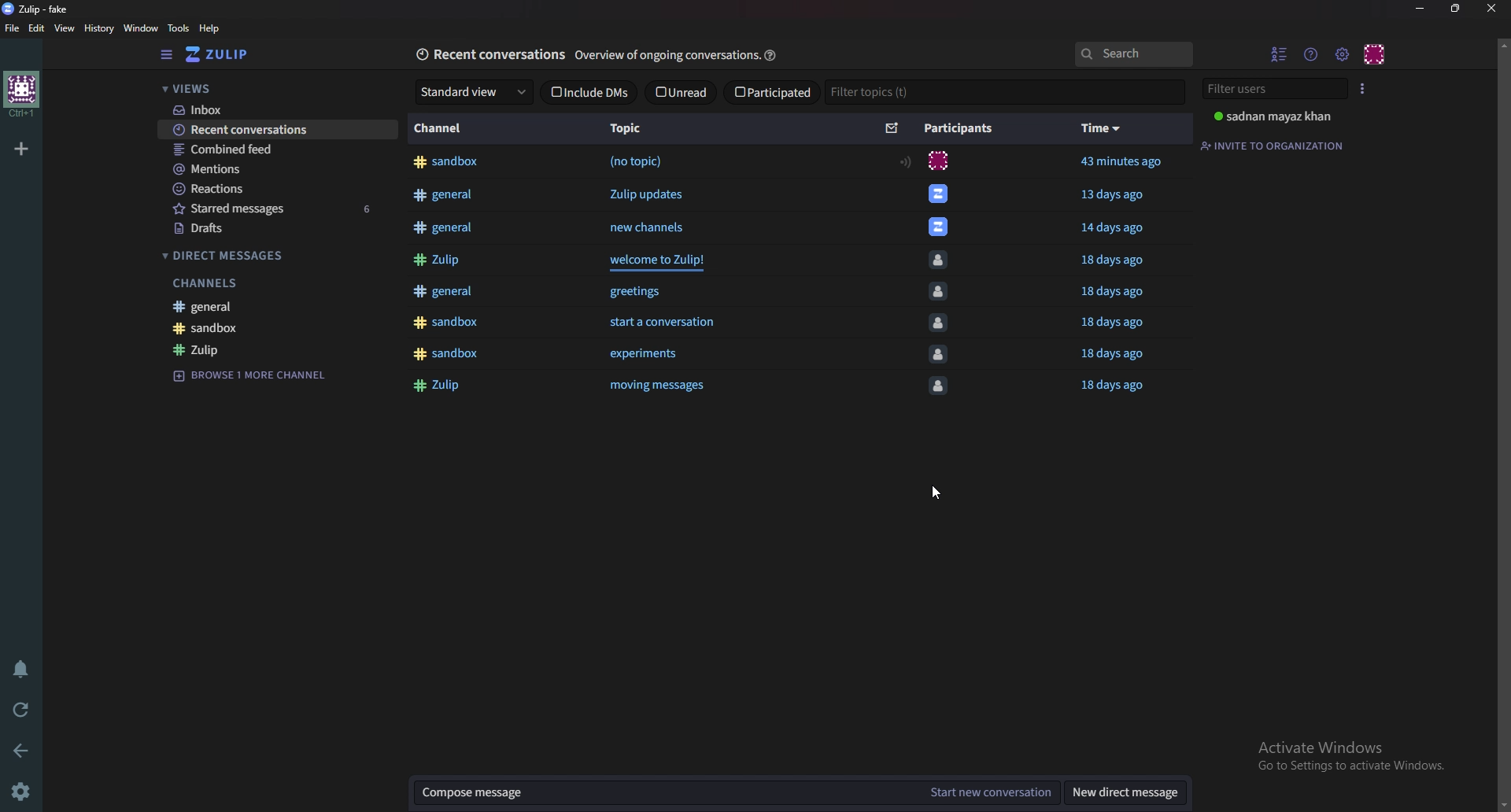 Image resolution: width=1511 pixels, height=812 pixels. Describe the element at coordinates (659, 394) in the screenshot. I see `‘moving messages` at that location.